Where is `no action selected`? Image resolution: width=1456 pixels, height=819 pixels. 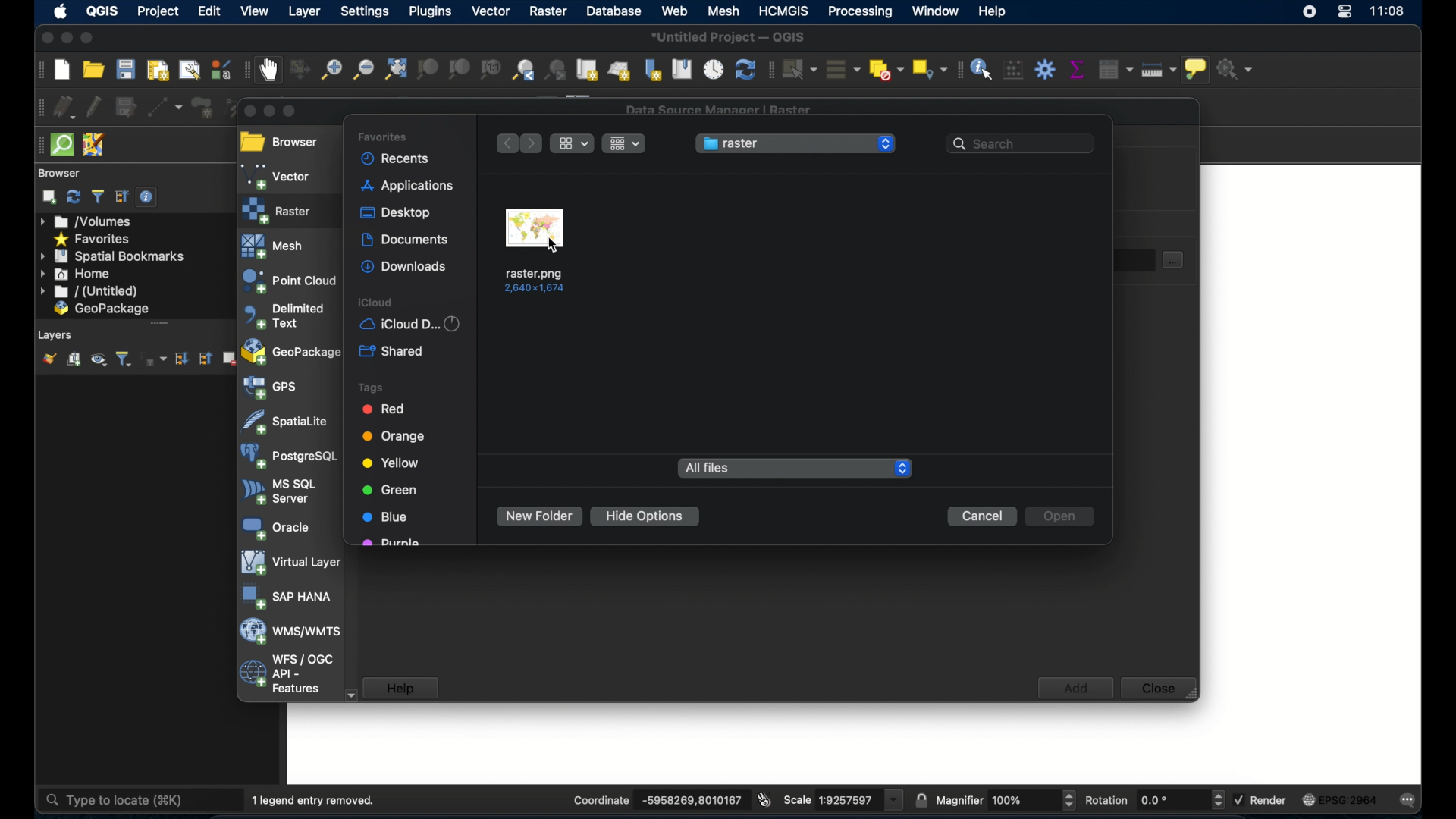
no action selected is located at coordinates (1237, 69).